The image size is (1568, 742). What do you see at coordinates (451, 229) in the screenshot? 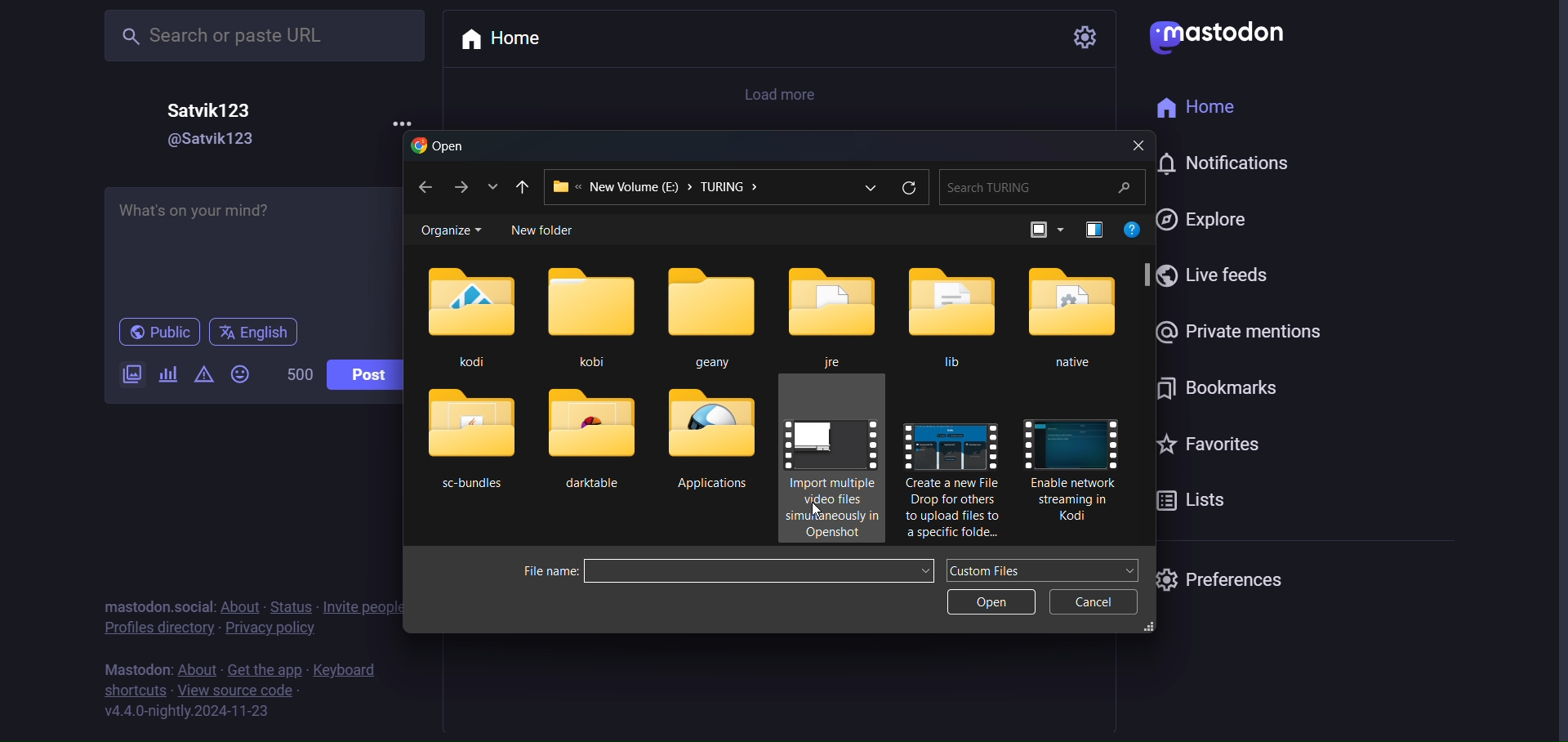
I see `organize` at bounding box center [451, 229].